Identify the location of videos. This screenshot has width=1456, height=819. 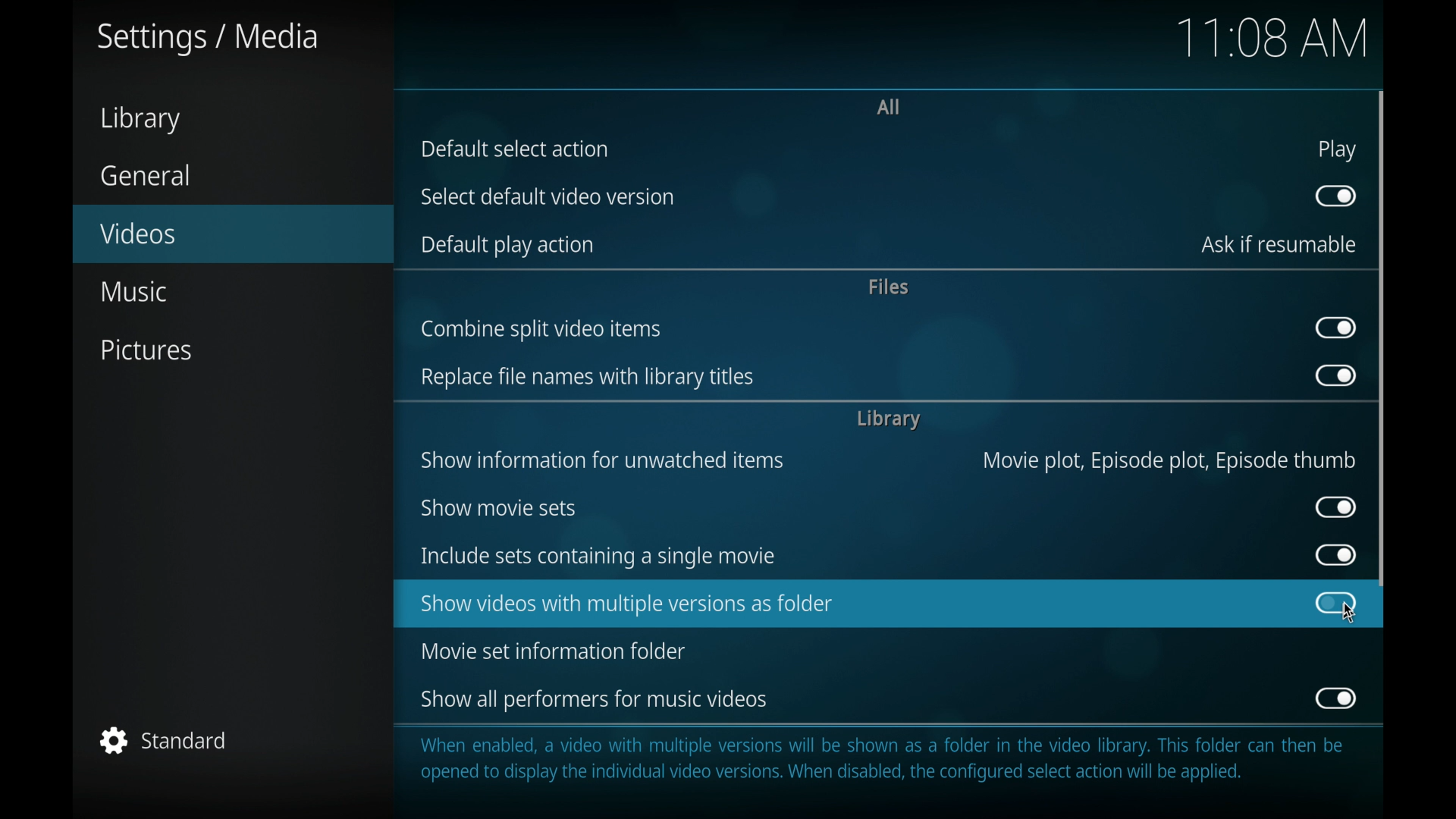
(234, 234).